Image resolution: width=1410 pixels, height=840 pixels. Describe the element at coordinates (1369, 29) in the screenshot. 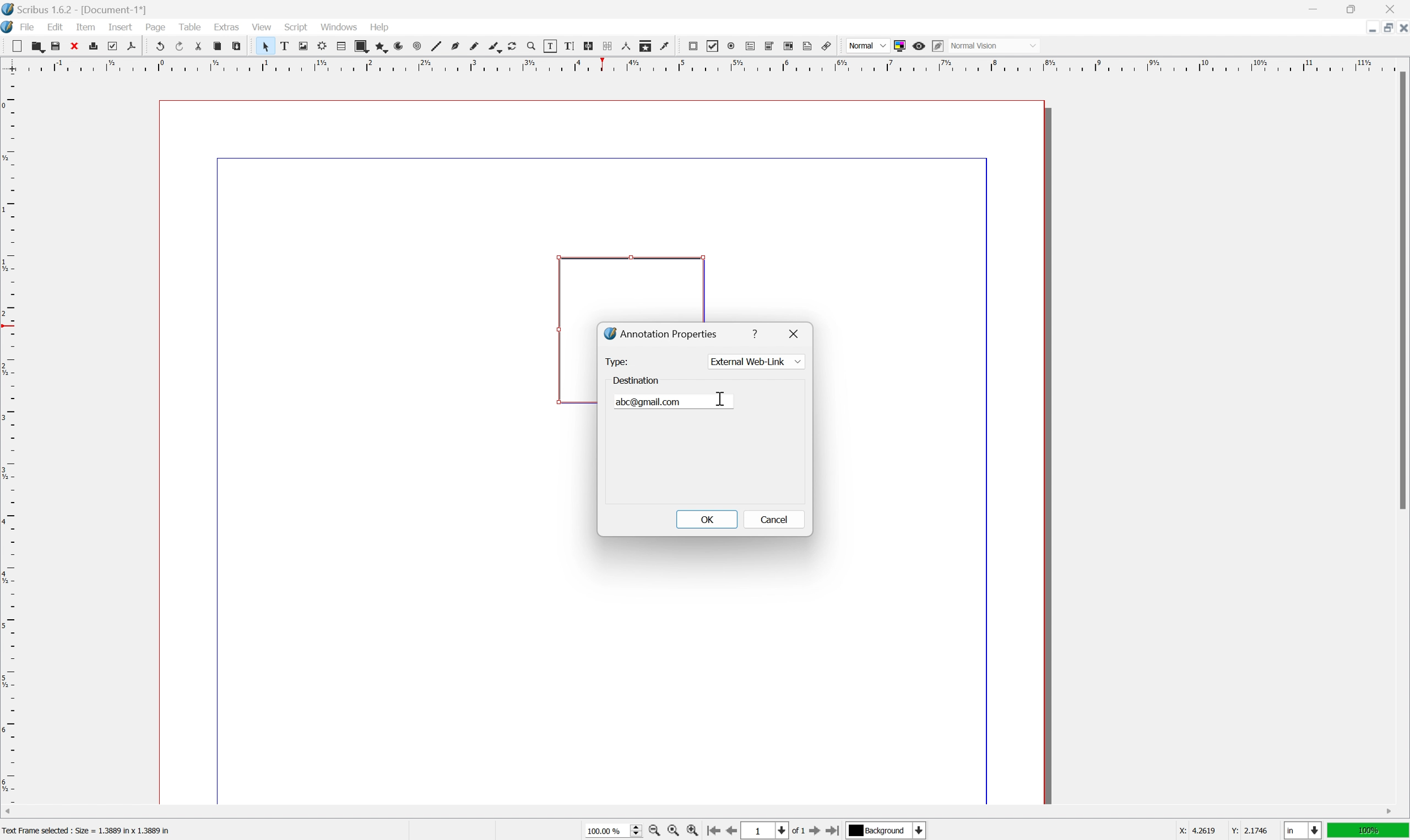

I see `minimize` at that location.